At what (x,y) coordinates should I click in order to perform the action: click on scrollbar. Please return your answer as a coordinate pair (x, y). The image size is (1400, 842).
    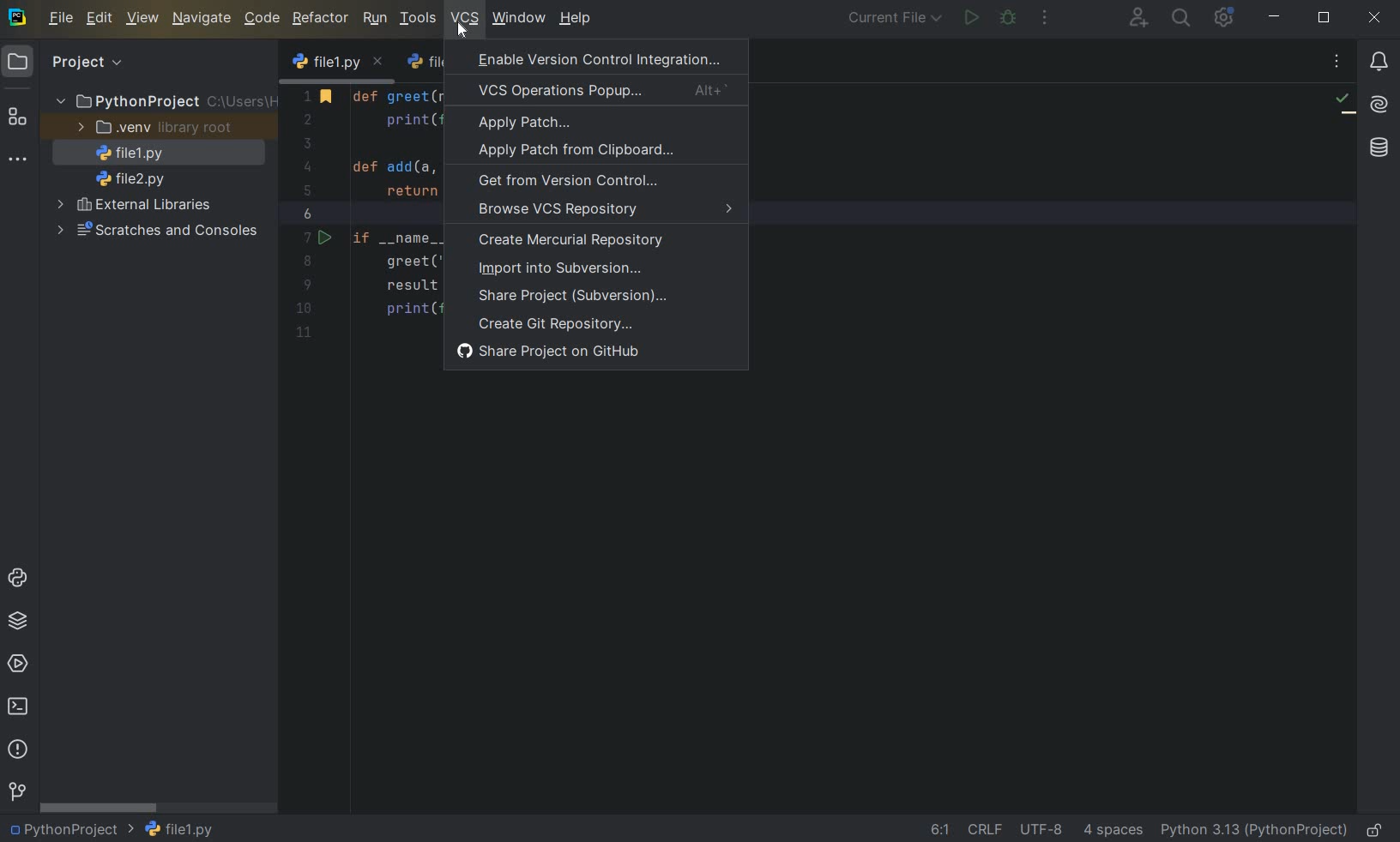
    Looking at the image, I should click on (100, 807).